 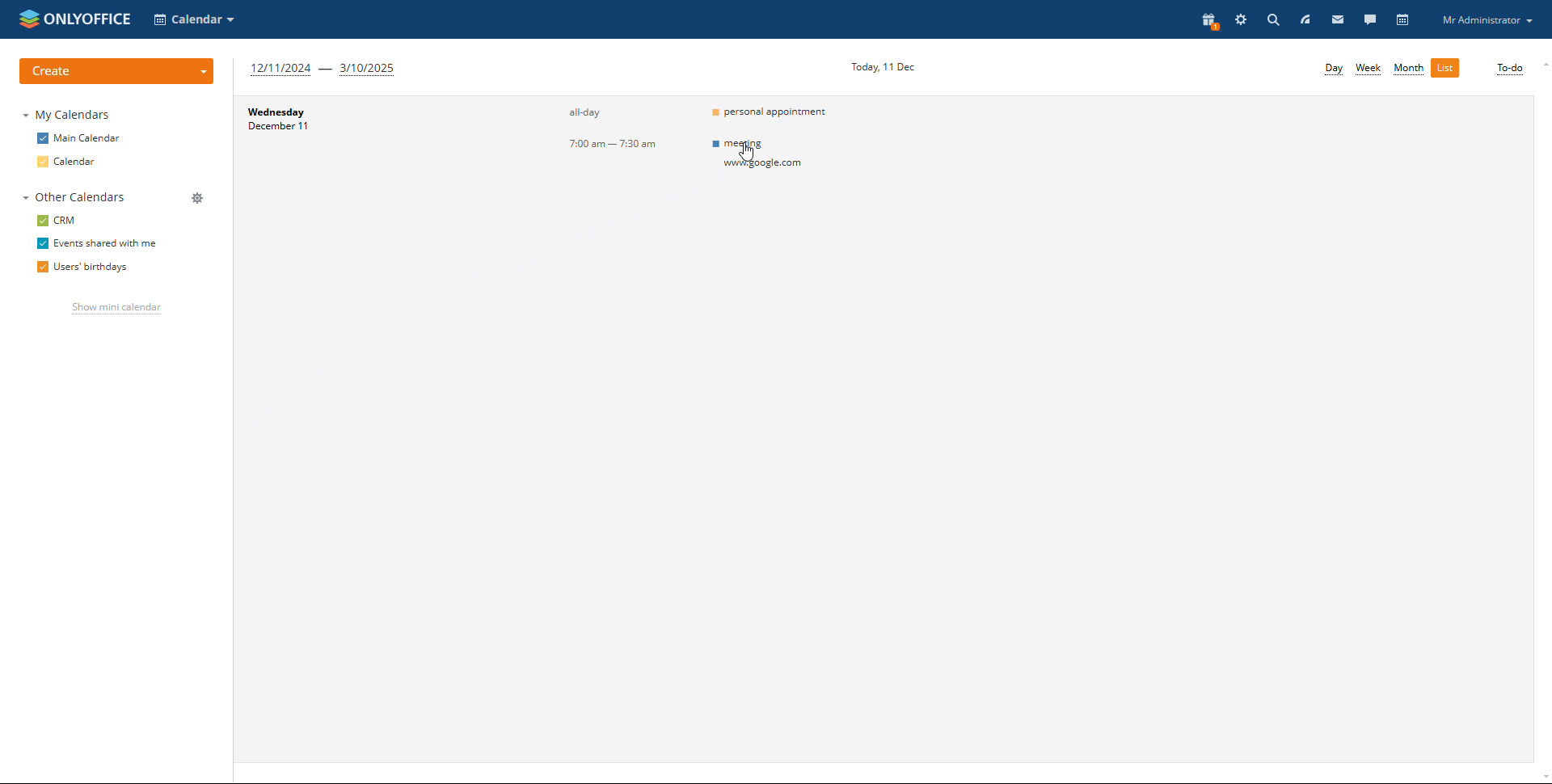 I want to click on search, so click(x=1271, y=20).